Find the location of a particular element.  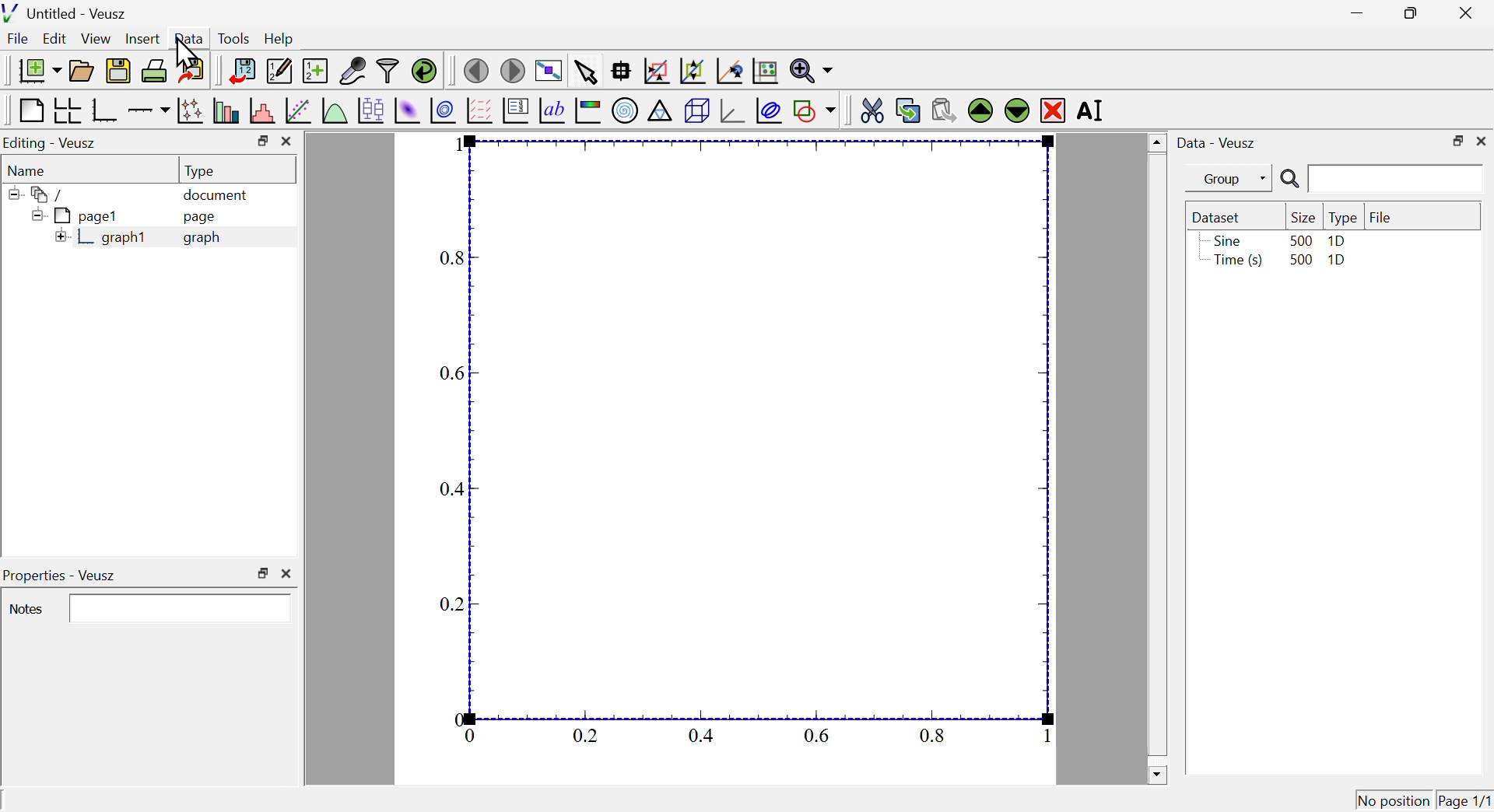

minimize is located at coordinates (1352, 13).